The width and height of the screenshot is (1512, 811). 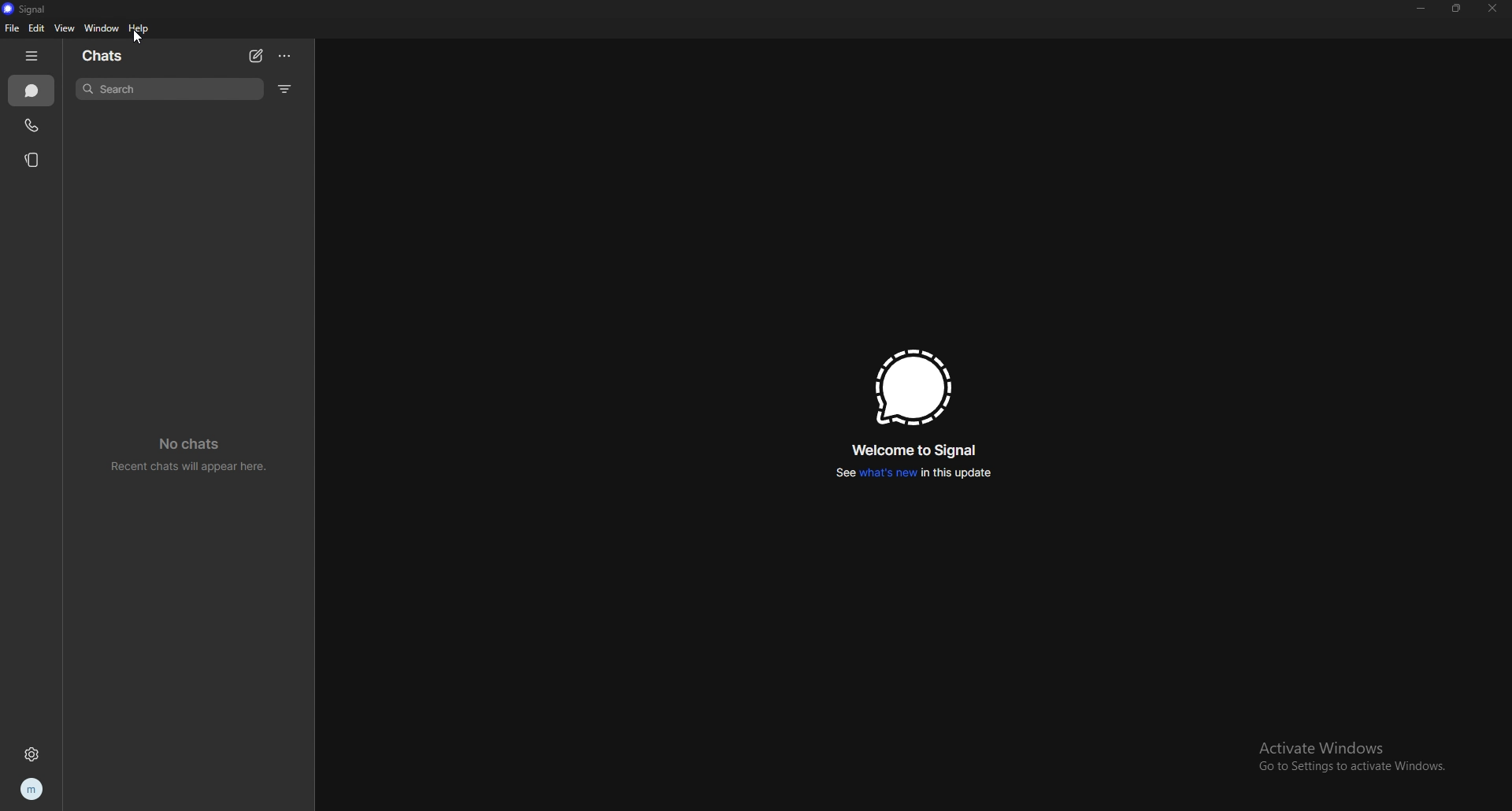 What do you see at coordinates (1345, 768) in the screenshot?
I see `Go to Settings to activate Windows.` at bounding box center [1345, 768].